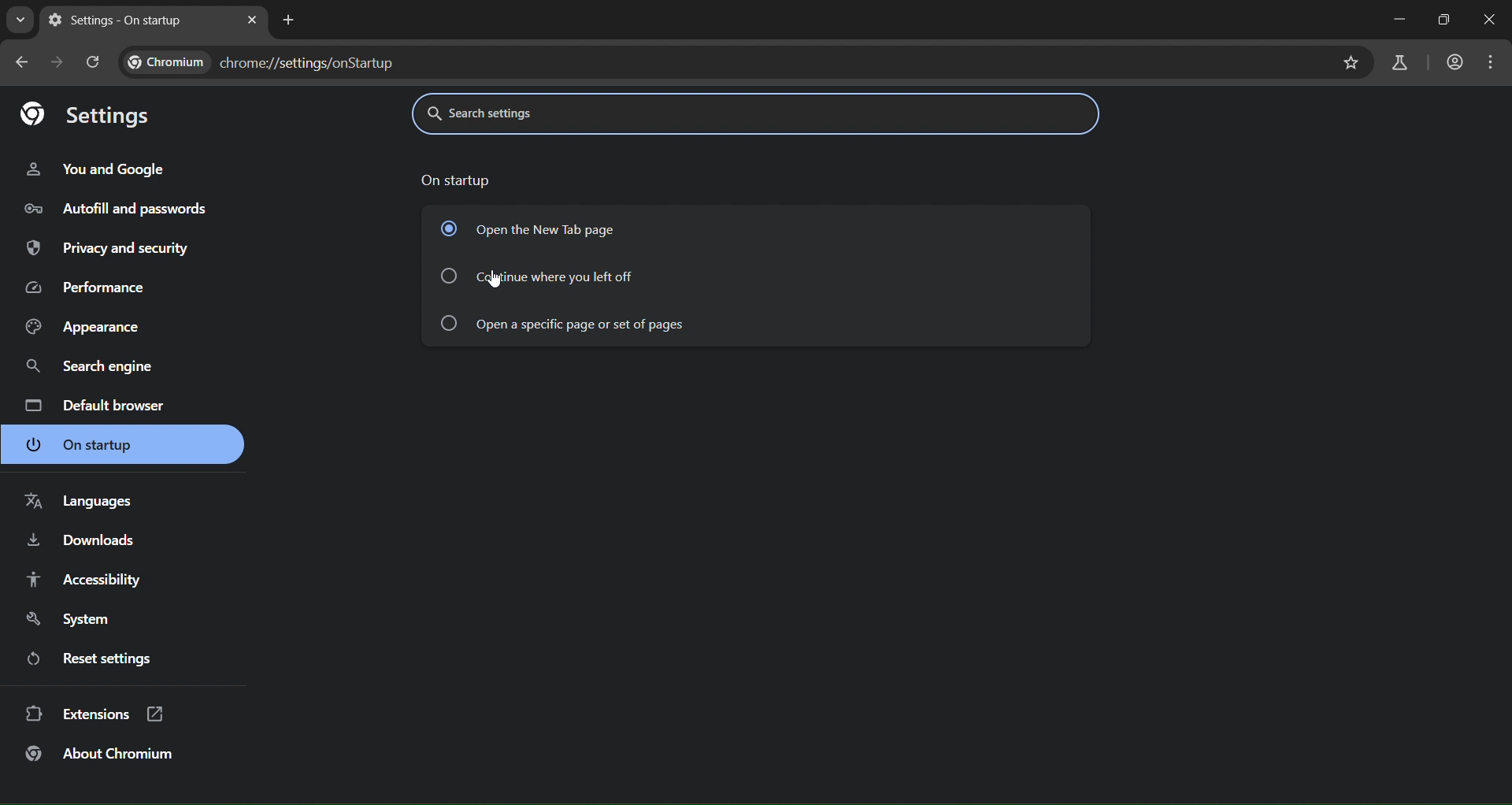  Describe the element at coordinates (577, 113) in the screenshot. I see `search settings` at that location.